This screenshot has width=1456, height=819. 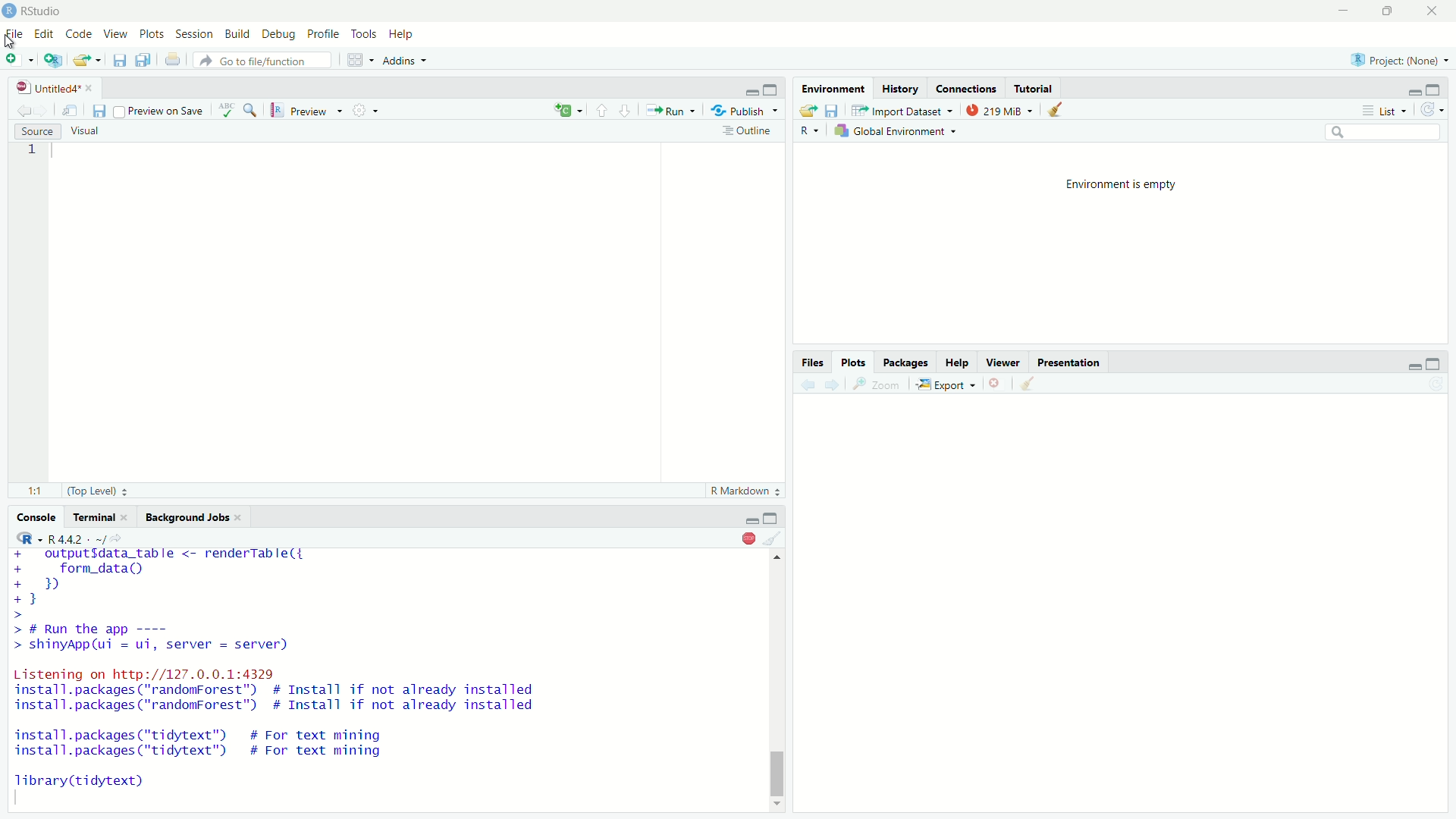 I want to click on print current document, so click(x=172, y=60).